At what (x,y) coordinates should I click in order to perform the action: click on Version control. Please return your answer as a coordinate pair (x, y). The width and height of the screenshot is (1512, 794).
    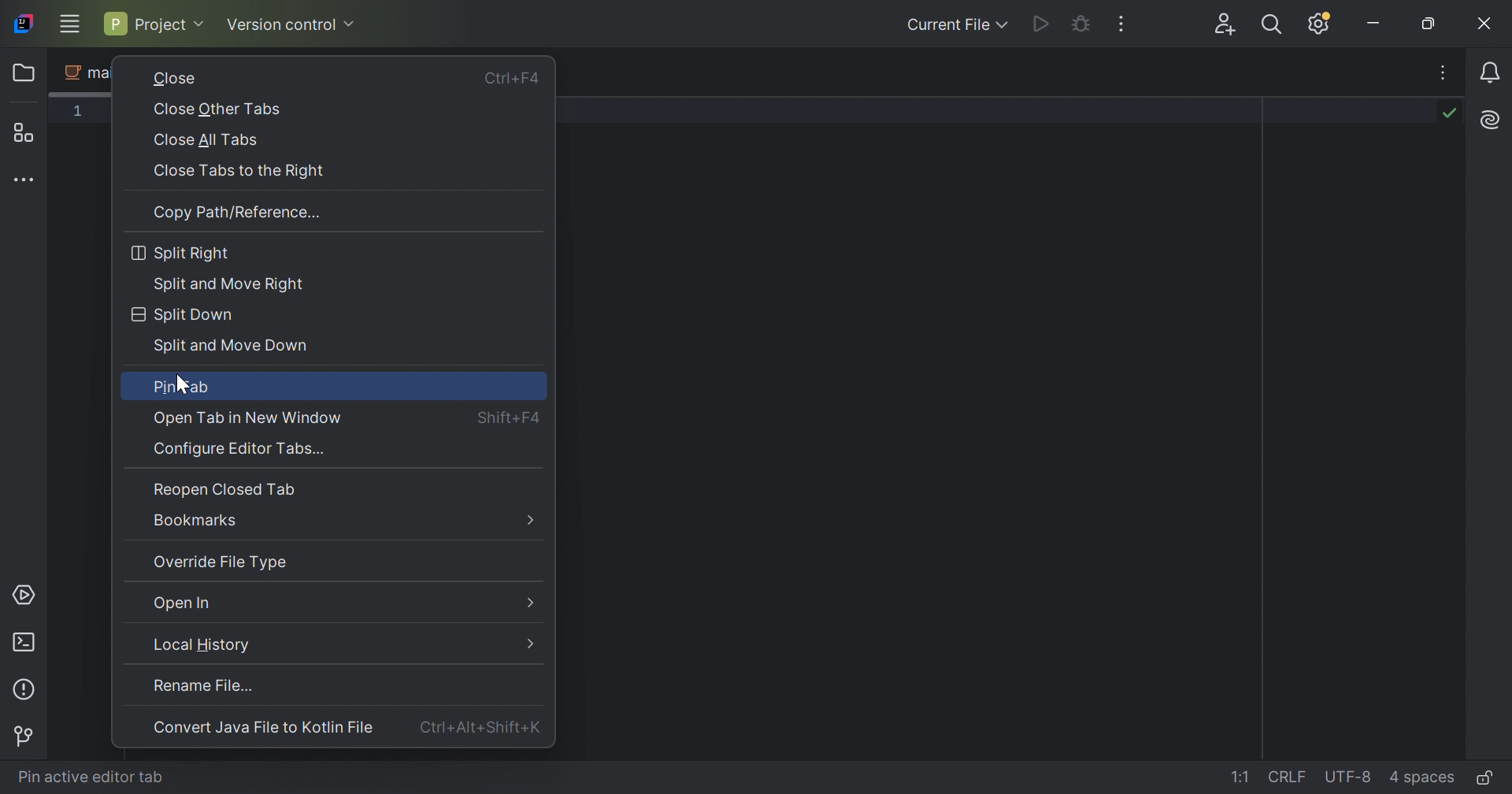
    Looking at the image, I should click on (292, 27).